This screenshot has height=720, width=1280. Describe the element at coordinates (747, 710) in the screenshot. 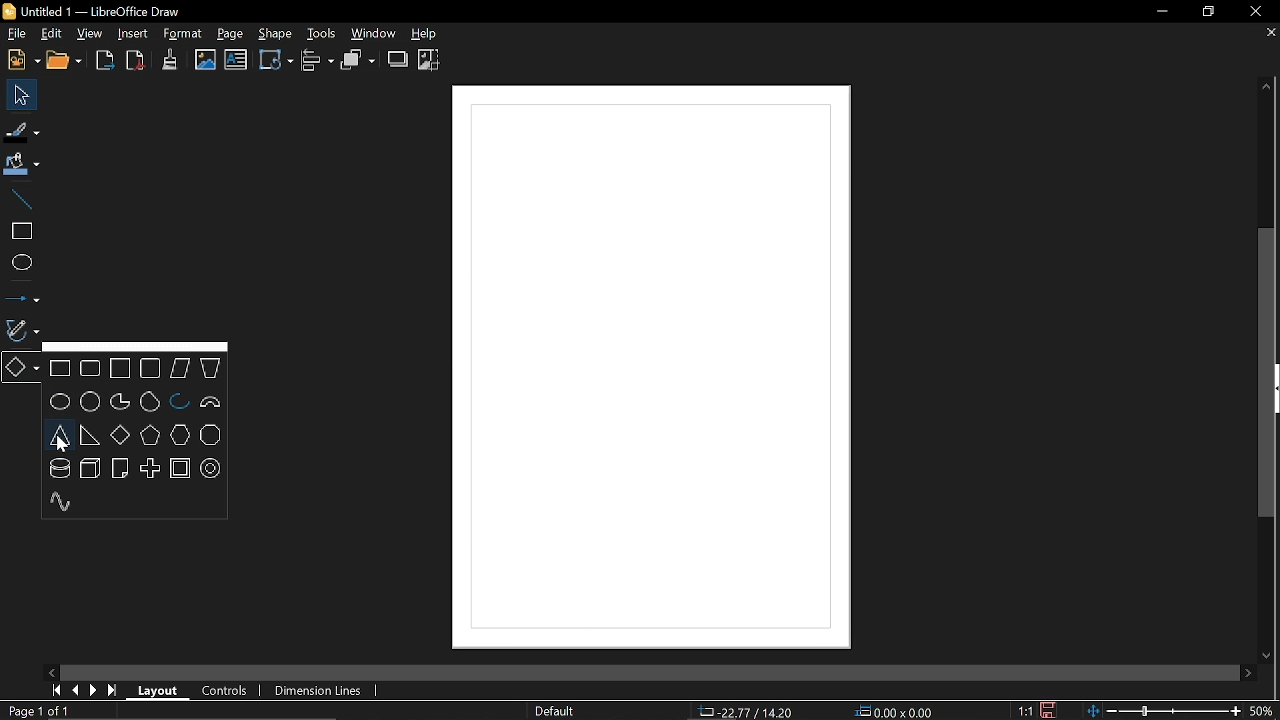

I see `POsition` at that location.